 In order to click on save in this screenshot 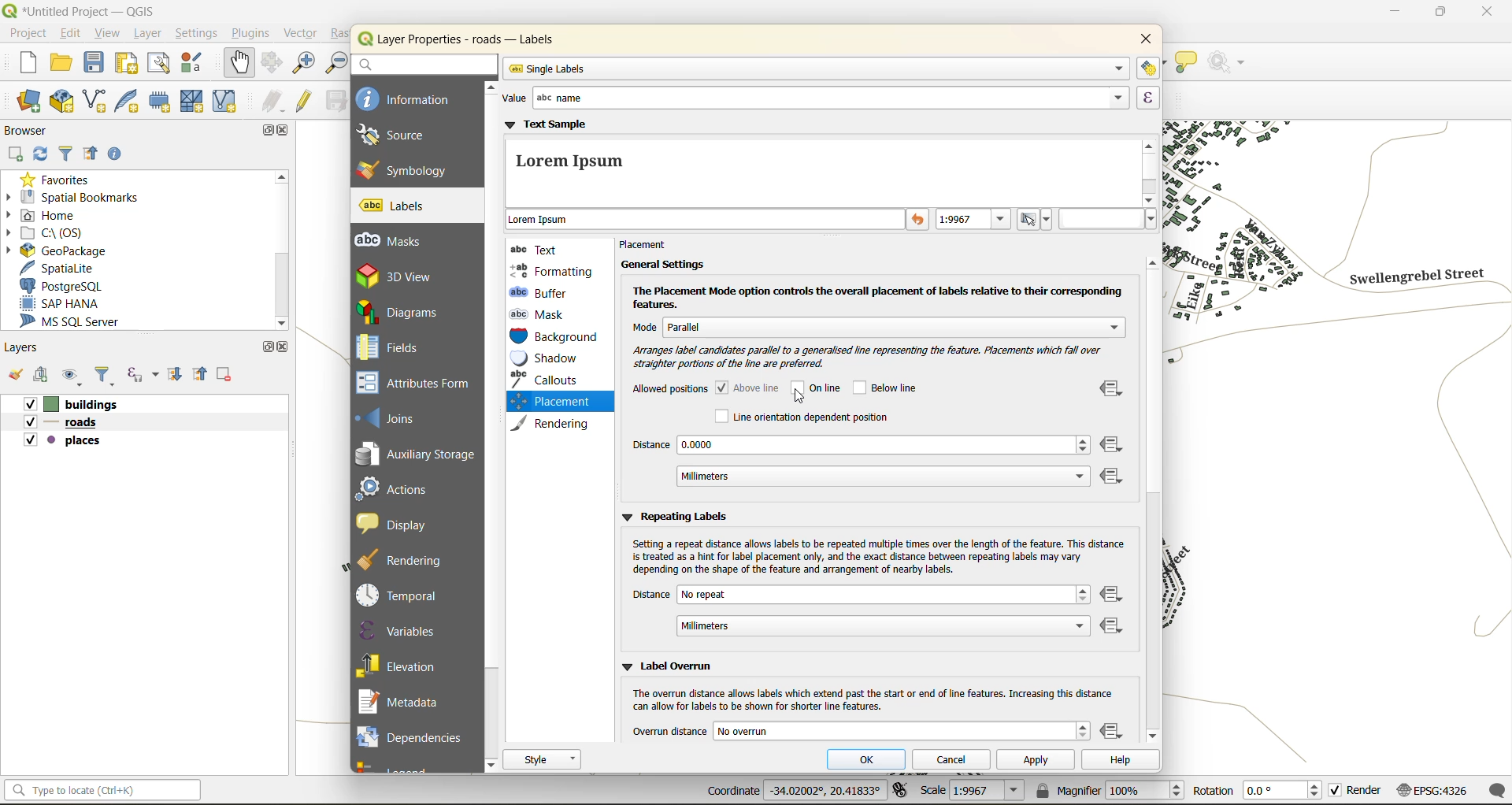, I will do `click(94, 62)`.